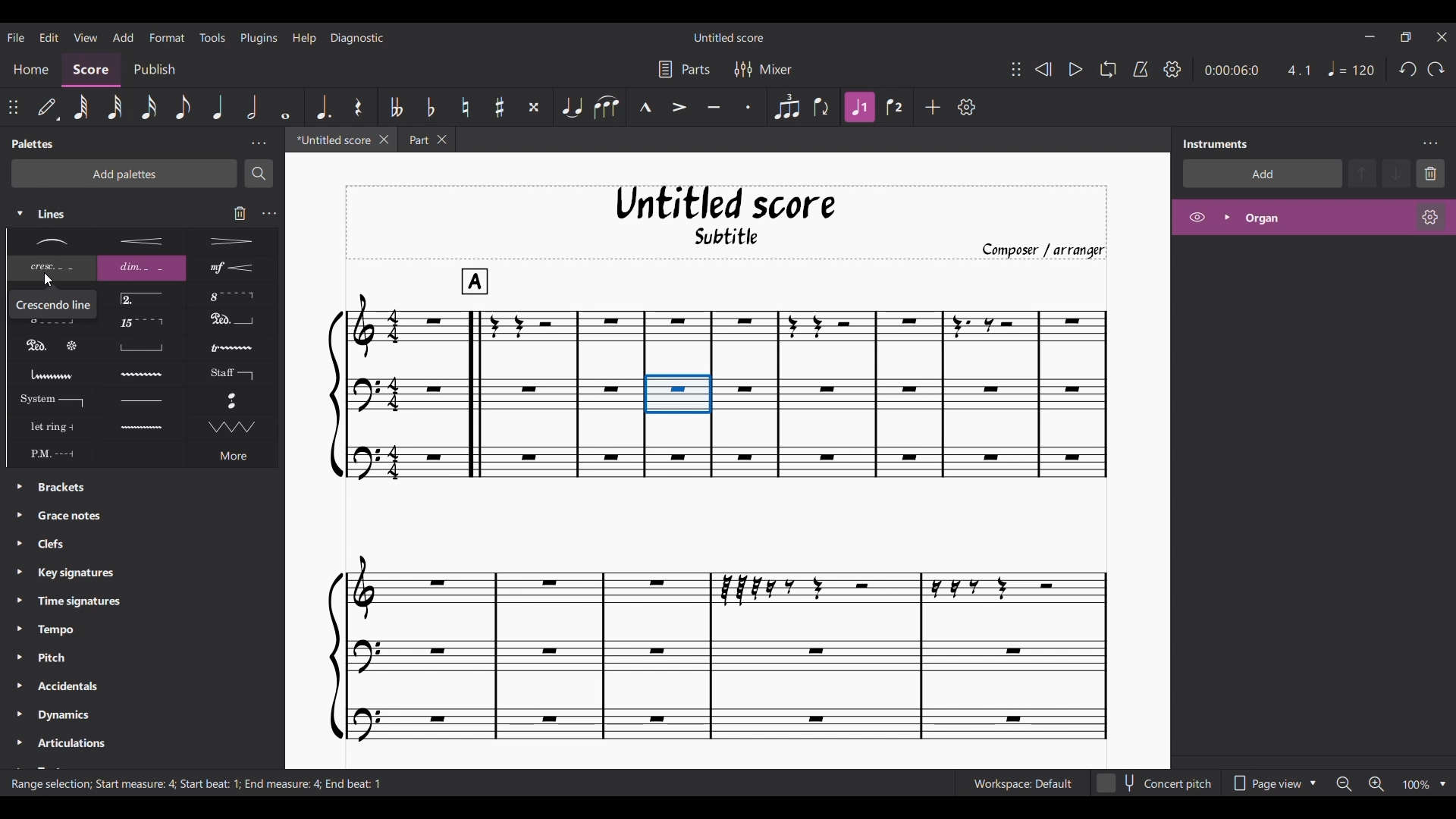 Image resolution: width=1456 pixels, height=819 pixels. Describe the element at coordinates (499, 107) in the screenshot. I see `Toggle sharp` at that location.